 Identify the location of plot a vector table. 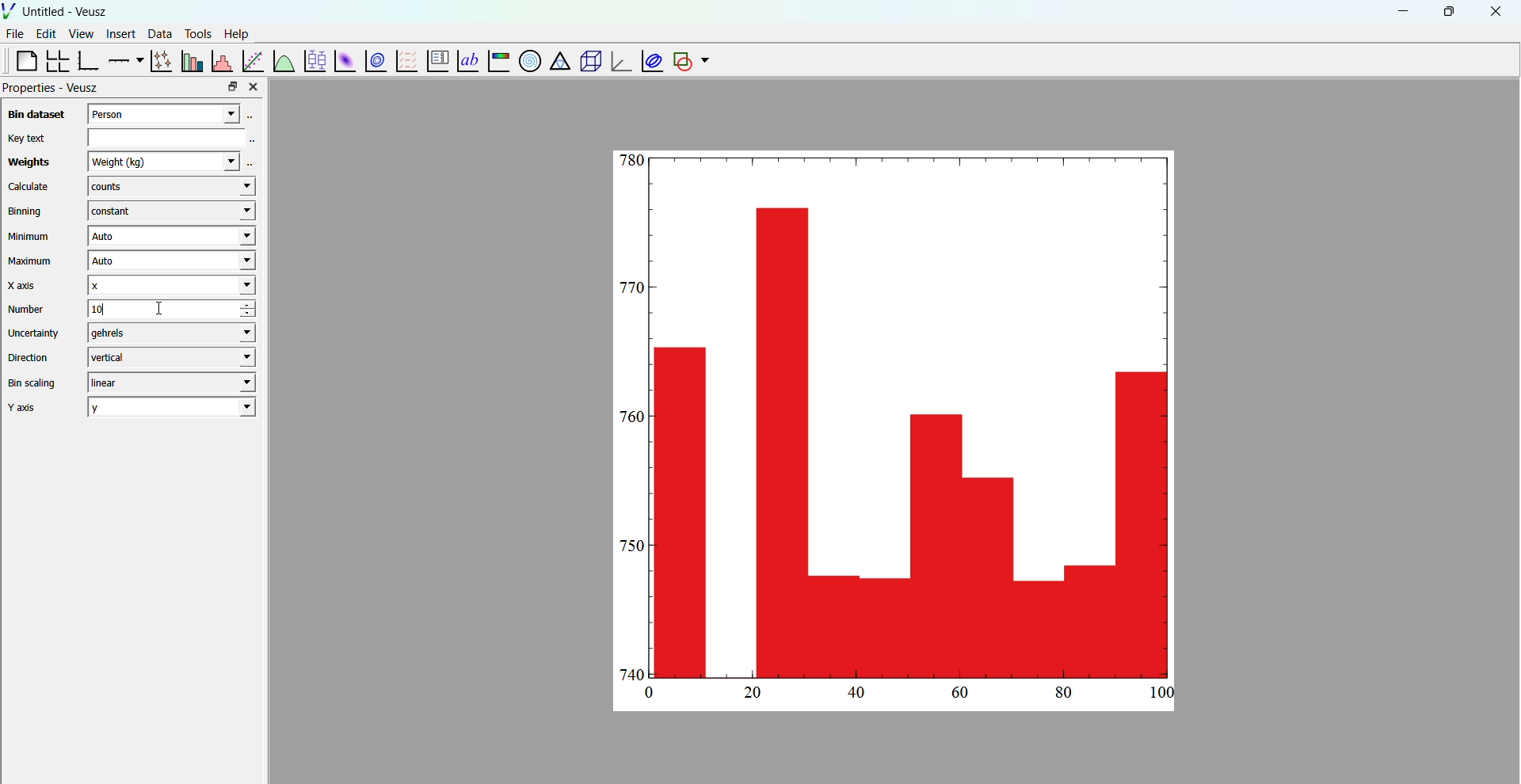
(405, 60).